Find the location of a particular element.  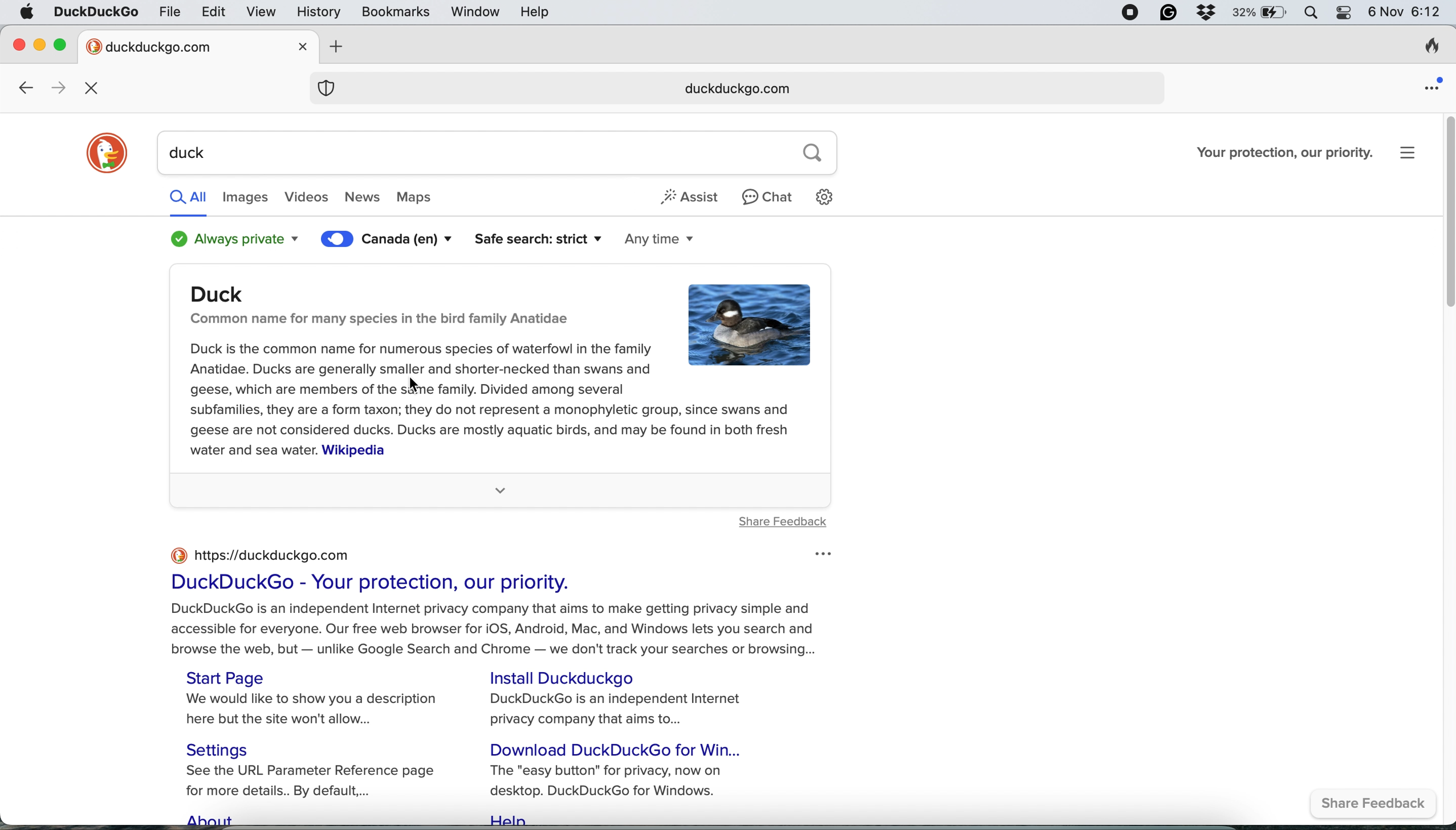

duckduckgo.com is located at coordinates (734, 89).